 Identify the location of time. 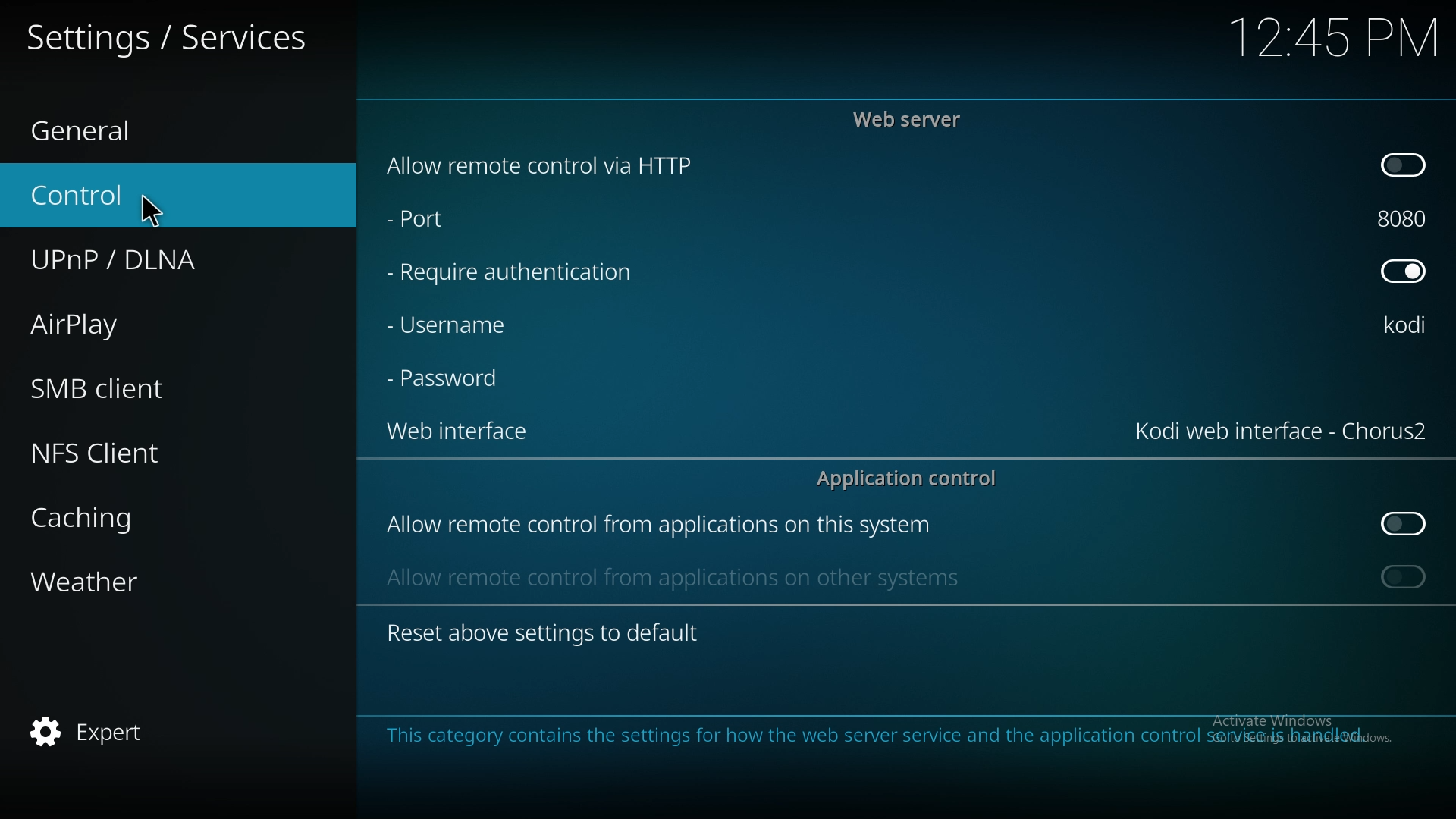
(1331, 37).